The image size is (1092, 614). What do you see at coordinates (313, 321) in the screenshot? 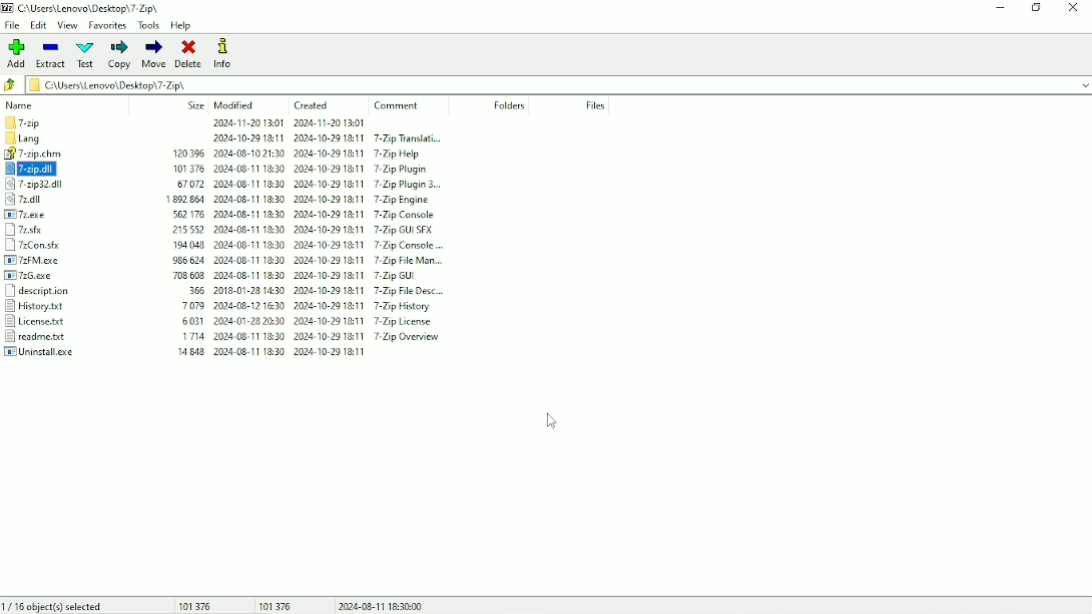
I see `$031 2004-07-2820:30 2004-90-291211  7-Zip Licerse` at bounding box center [313, 321].